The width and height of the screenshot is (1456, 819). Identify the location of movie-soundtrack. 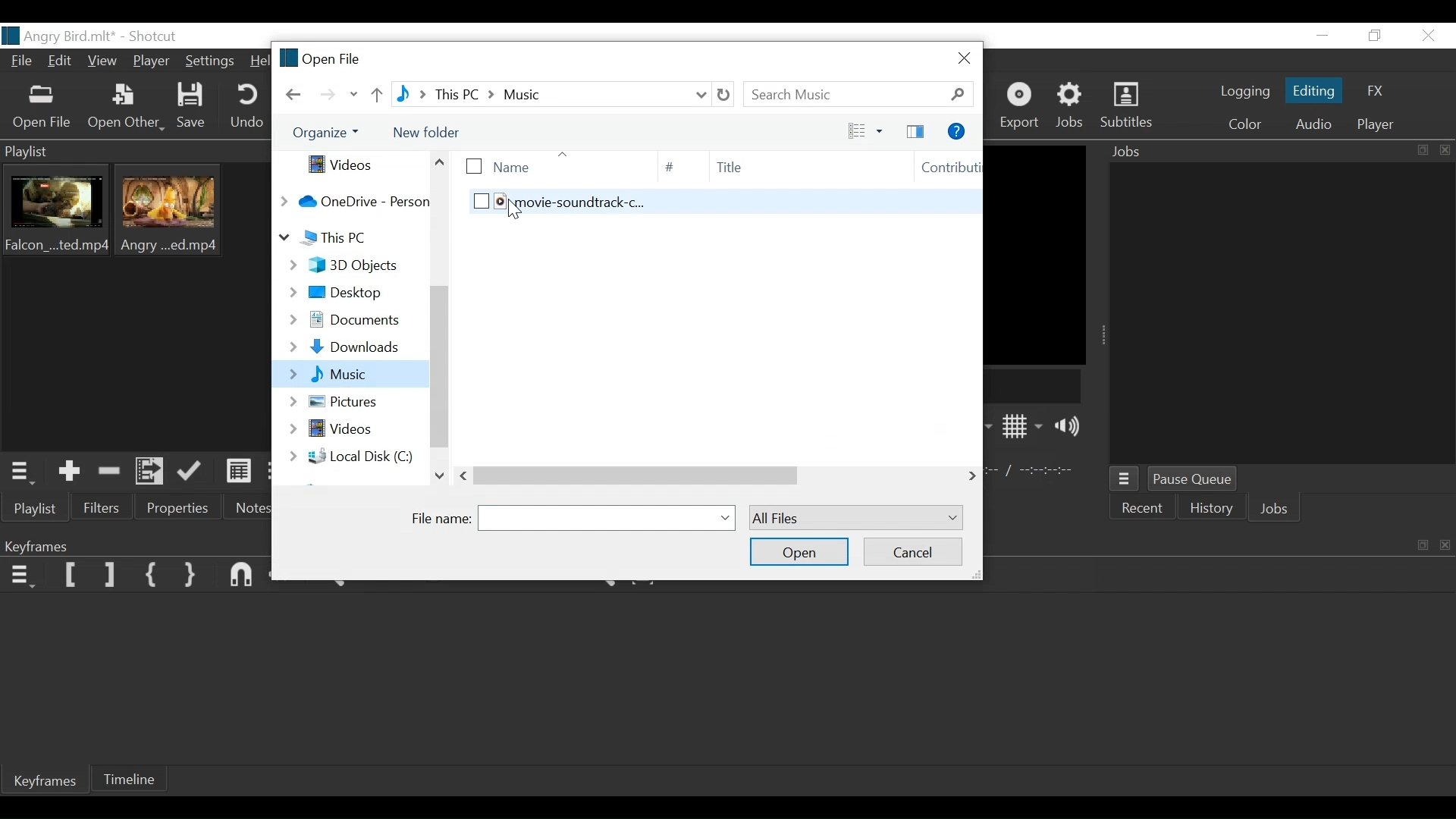
(703, 209).